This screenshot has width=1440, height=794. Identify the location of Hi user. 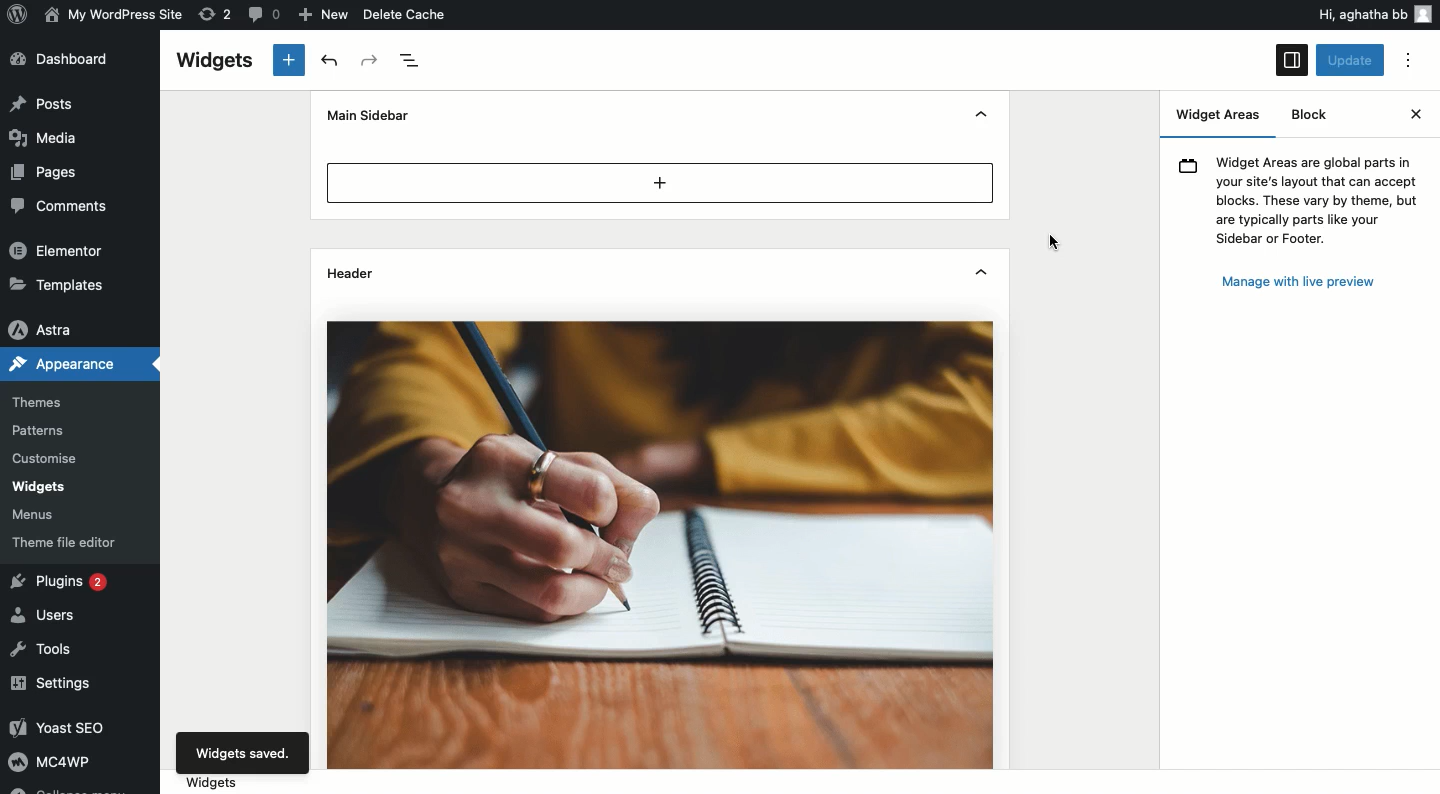
(1373, 14).